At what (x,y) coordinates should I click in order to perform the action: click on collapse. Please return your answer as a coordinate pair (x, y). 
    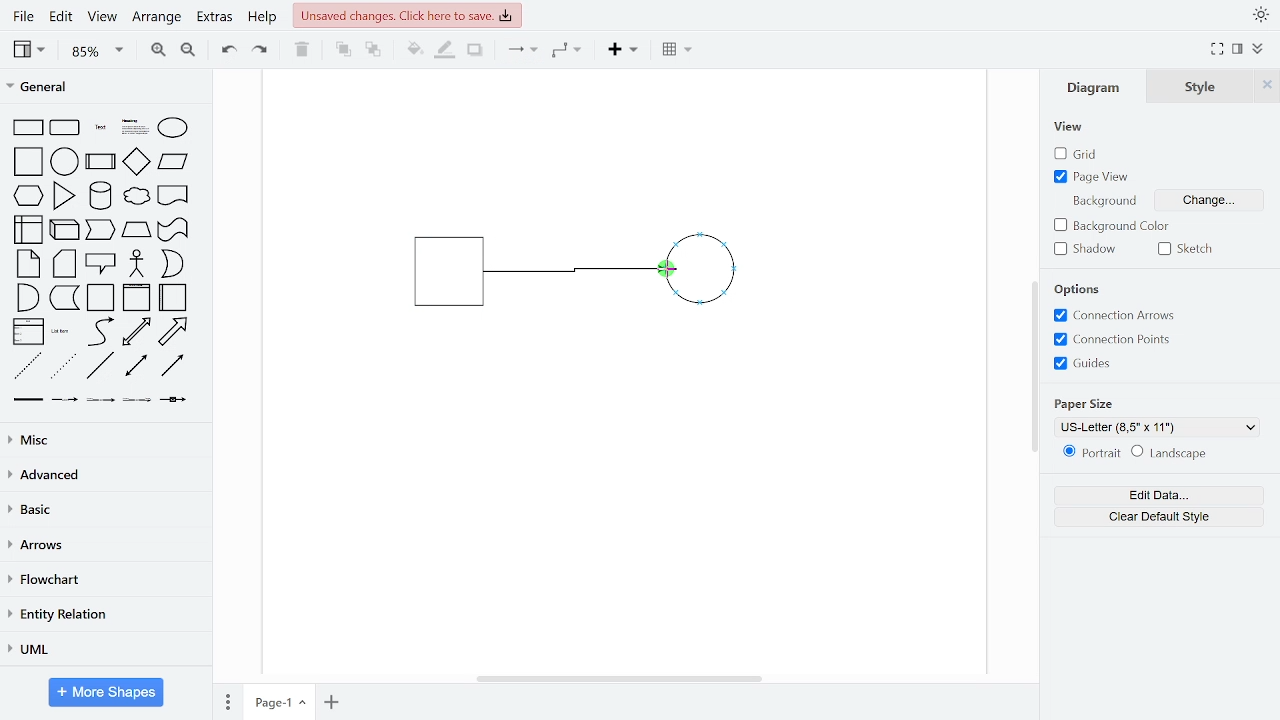
    Looking at the image, I should click on (1260, 50).